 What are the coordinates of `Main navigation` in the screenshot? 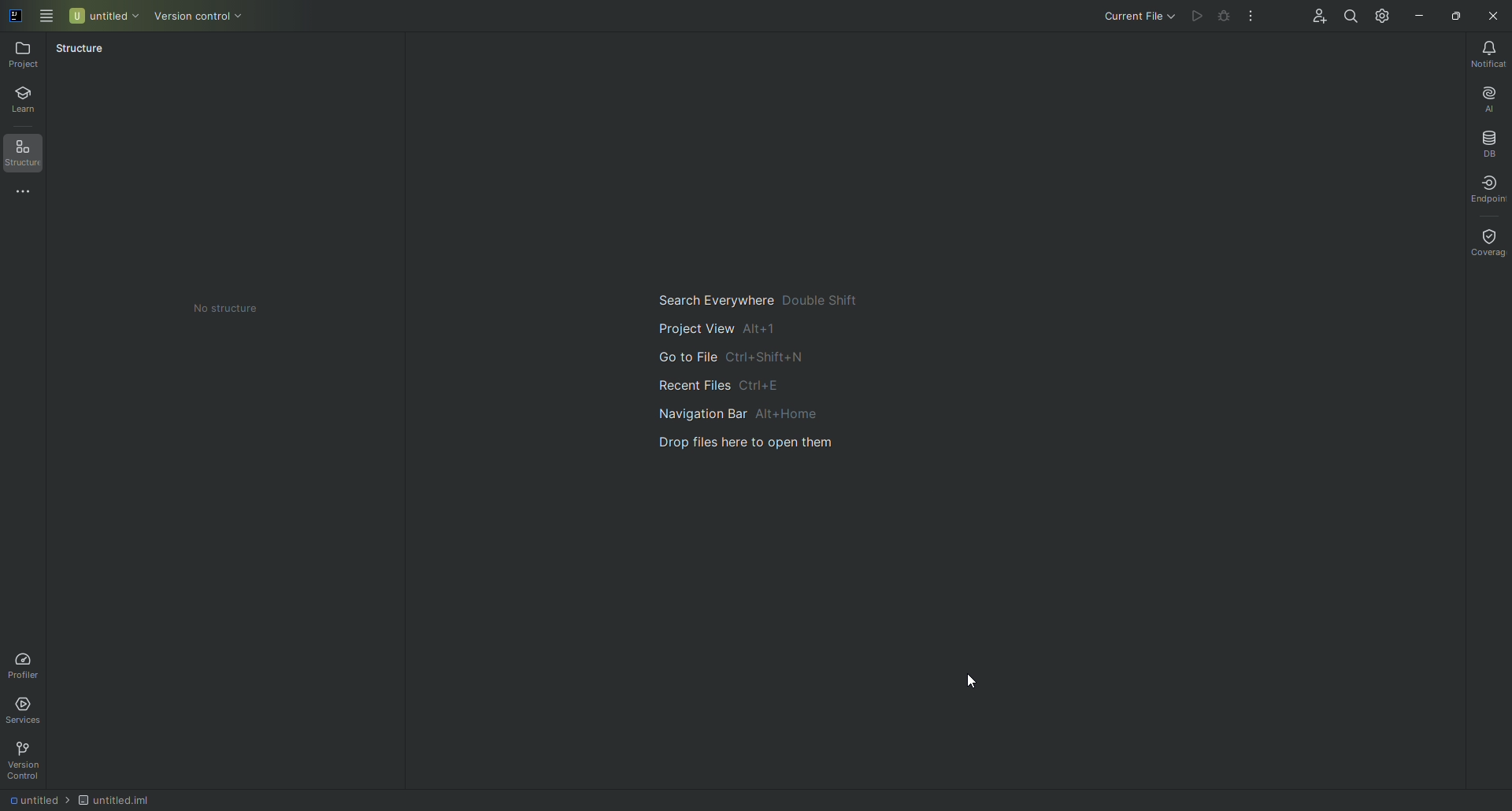 It's located at (757, 371).